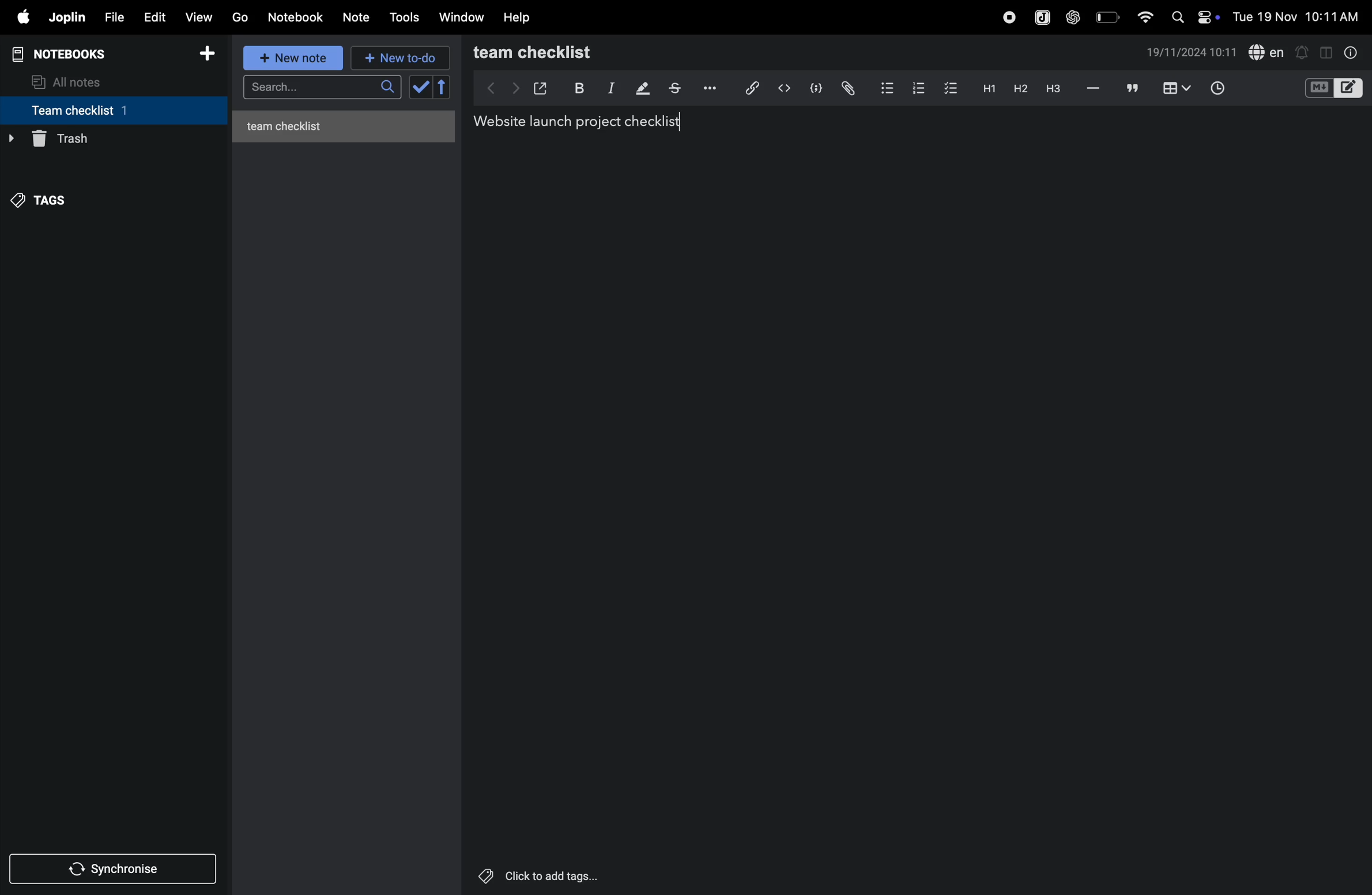 The image size is (1372, 895). I want to click on check, so click(431, 88).